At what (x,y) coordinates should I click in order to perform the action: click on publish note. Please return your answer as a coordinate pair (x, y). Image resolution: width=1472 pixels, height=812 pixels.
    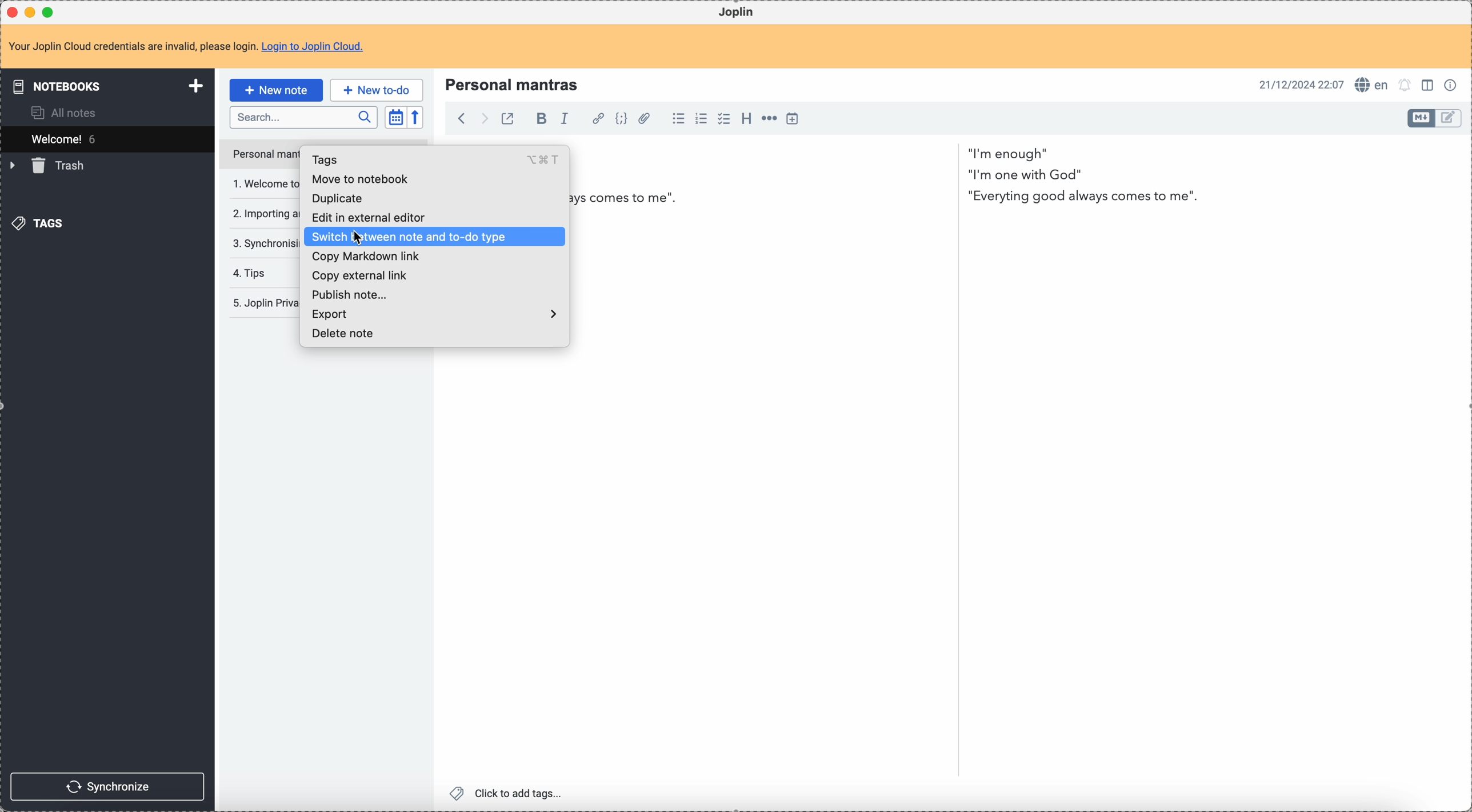
    Looking at the image, I should click on (348, 295).